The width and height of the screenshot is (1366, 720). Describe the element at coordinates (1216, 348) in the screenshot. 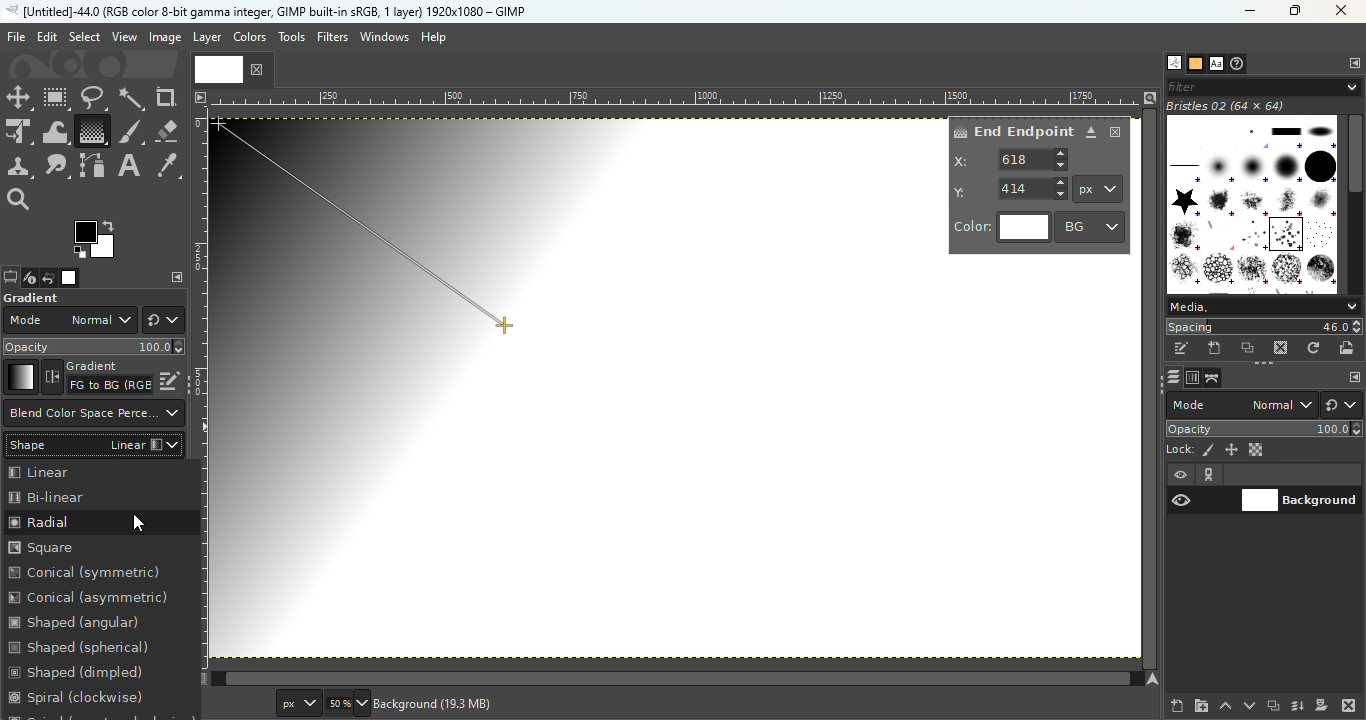

I see `Create a new brush` at that location.